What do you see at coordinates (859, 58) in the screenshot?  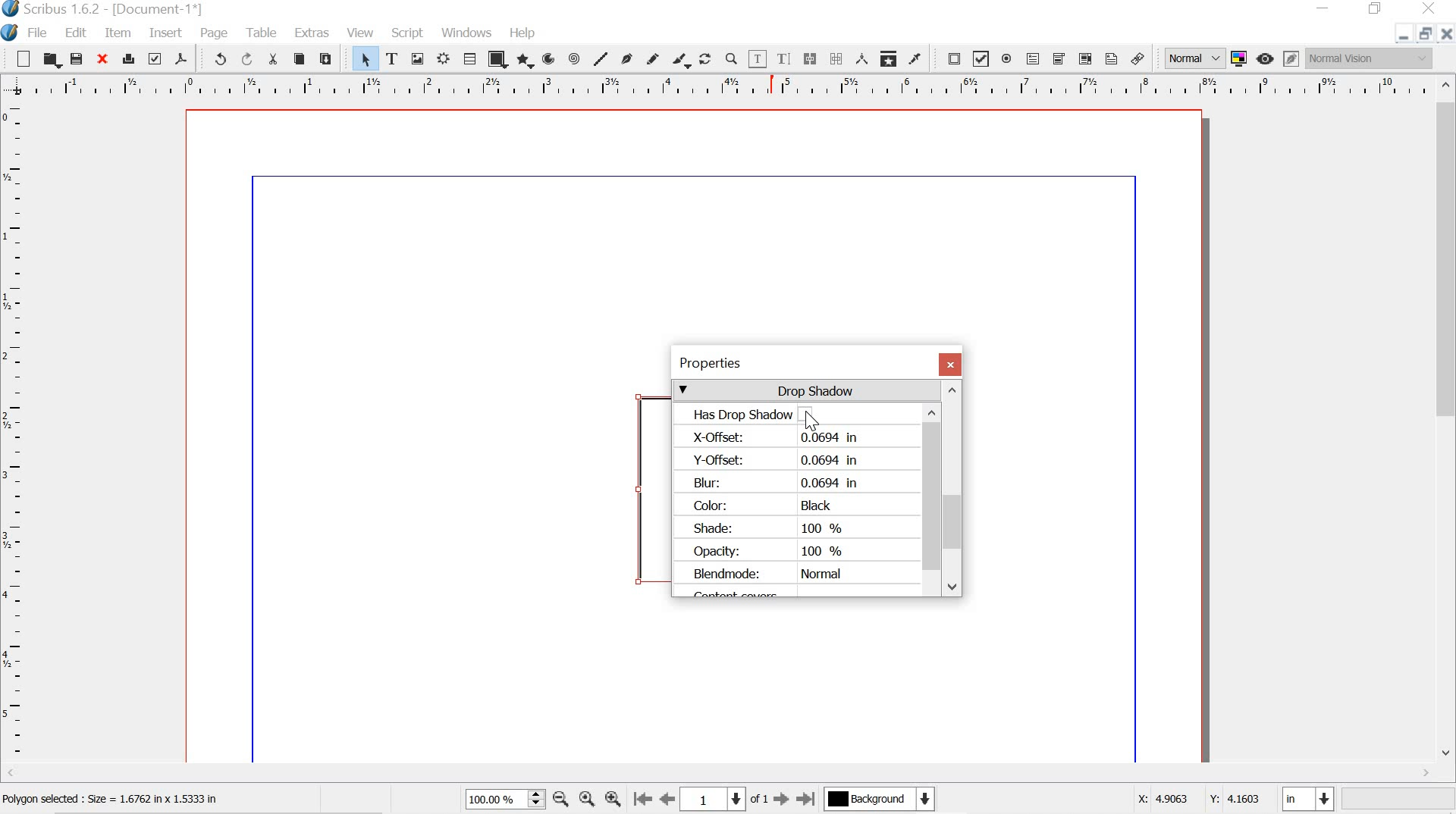 I see `measurements` at bounding box center [859, 58].